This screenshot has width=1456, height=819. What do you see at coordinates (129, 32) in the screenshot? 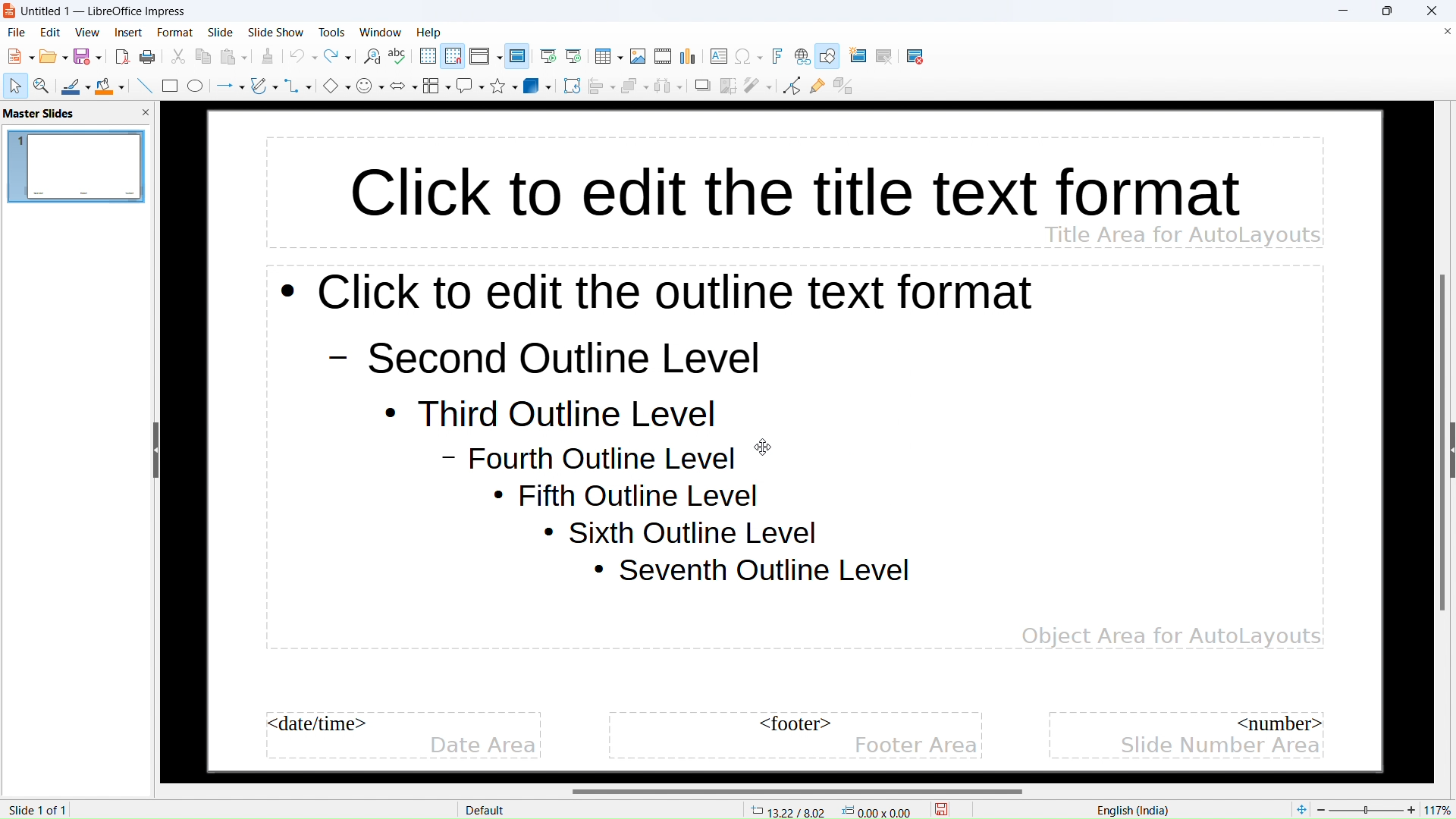
I see `insert` at bounding box center [129, 32].